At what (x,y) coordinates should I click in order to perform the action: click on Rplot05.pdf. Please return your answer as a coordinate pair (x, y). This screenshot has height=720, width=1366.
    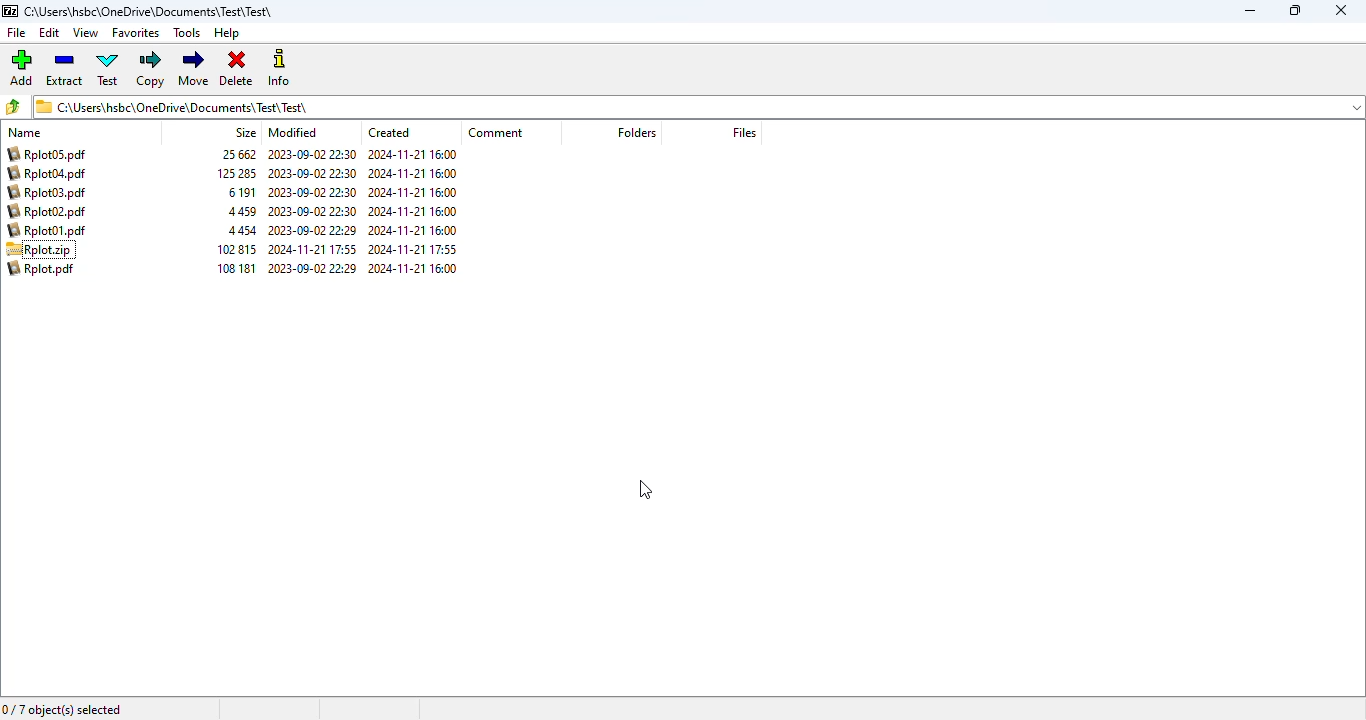
    Looking at the image, I should click on (47, 153).